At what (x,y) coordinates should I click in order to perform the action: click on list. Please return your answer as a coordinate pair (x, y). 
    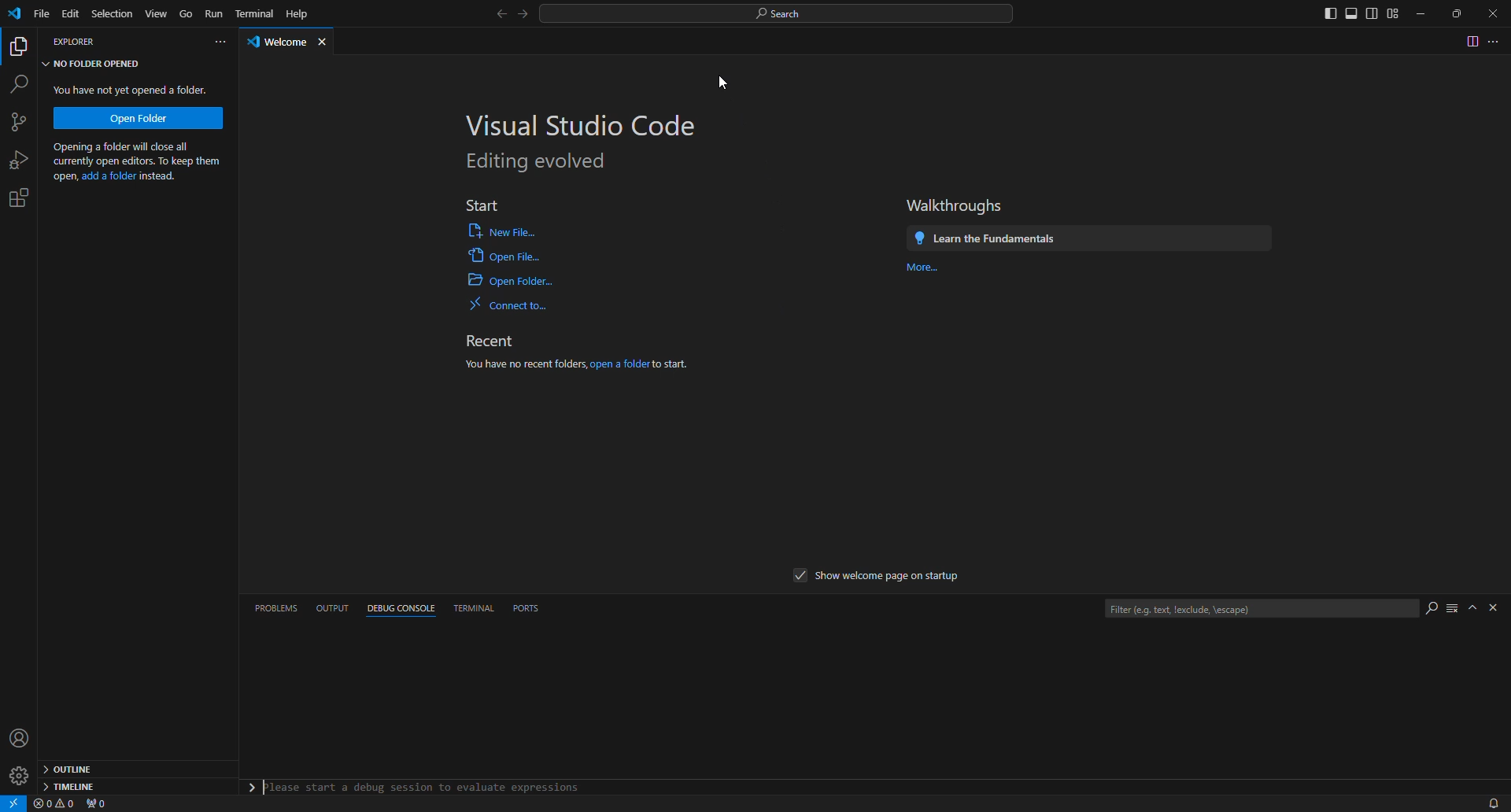
    Looking at the image, I should click on (1449, 612).